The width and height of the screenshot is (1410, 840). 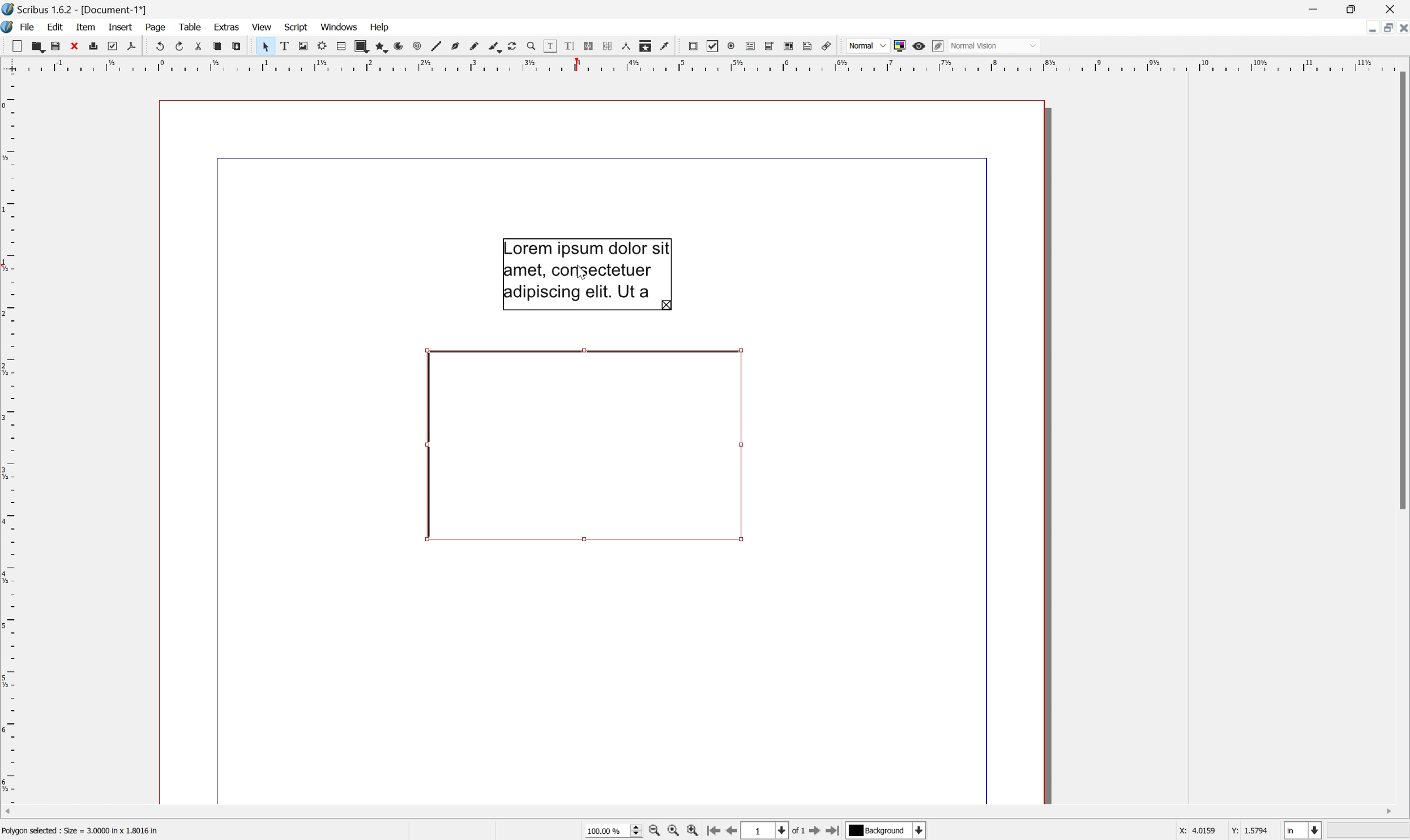 What do you see at coordinates (1304, 831) in the screenshot?
I see `Select the current unit` at bounding box center [1304, 831].